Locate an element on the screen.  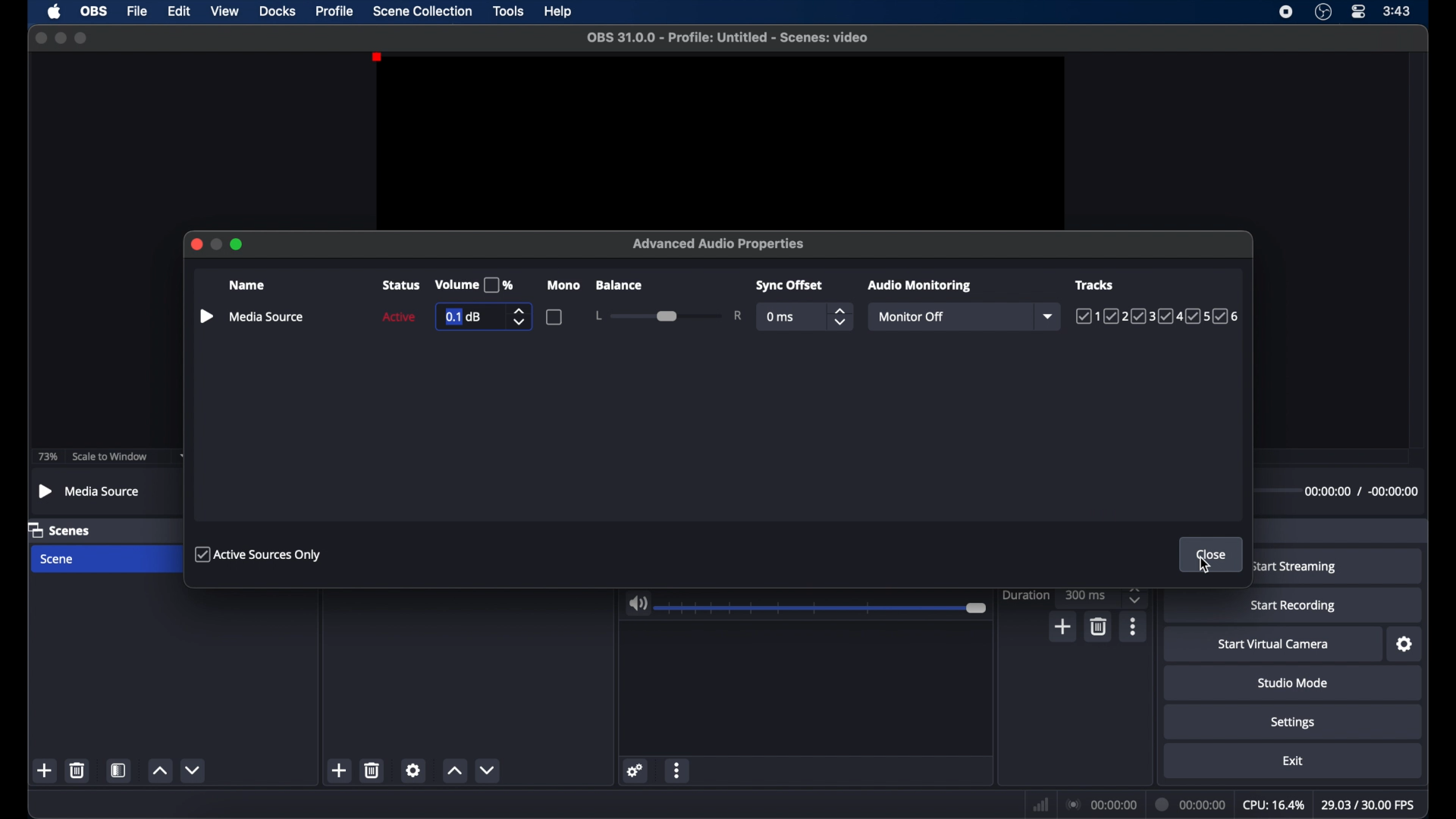
media source is located at coordinates (250, 315).